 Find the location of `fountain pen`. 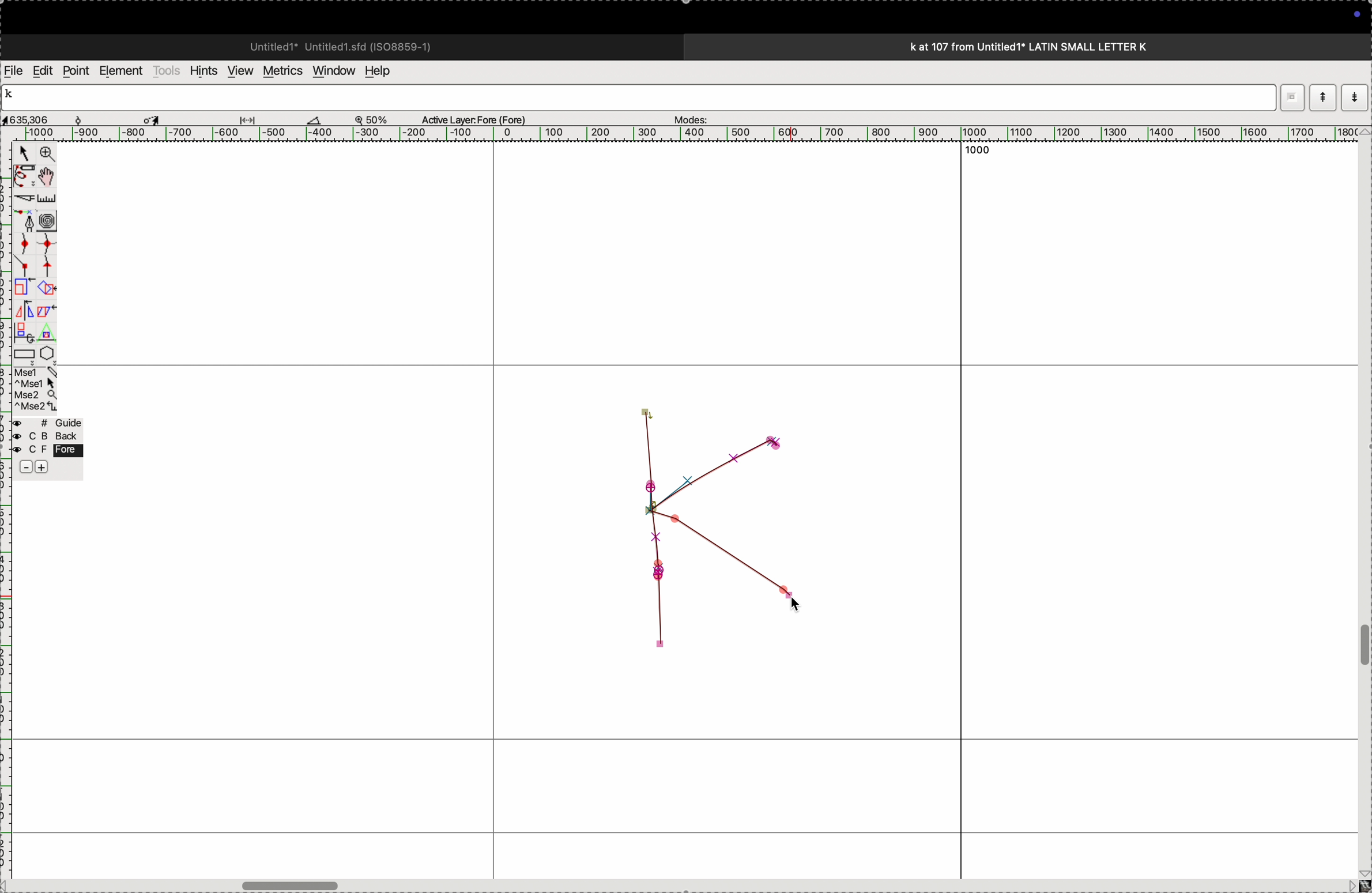

fountain pen is located at coordinates (28, 221).